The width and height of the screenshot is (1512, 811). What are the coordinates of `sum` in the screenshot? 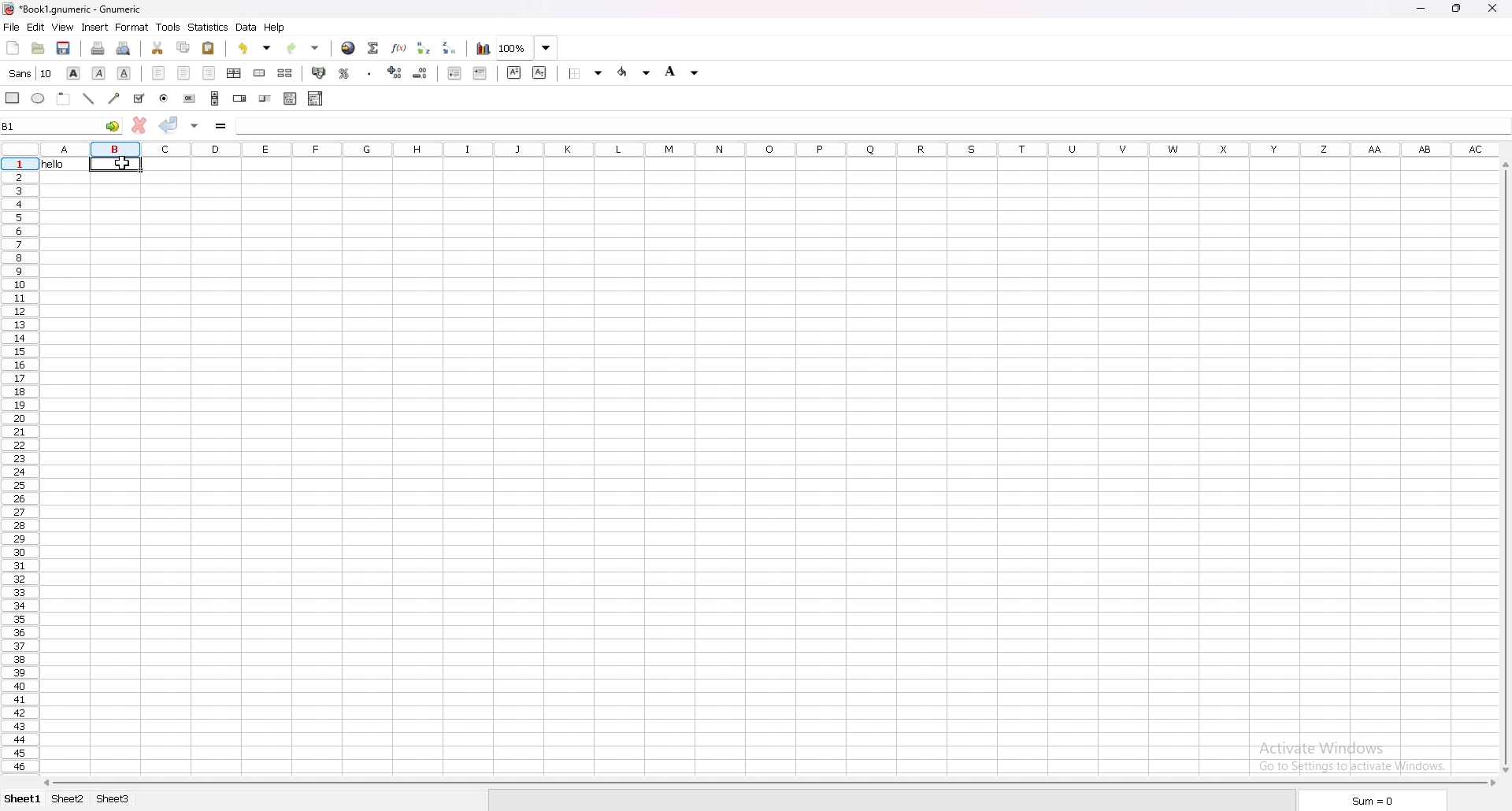 It's located at (1372, 801).